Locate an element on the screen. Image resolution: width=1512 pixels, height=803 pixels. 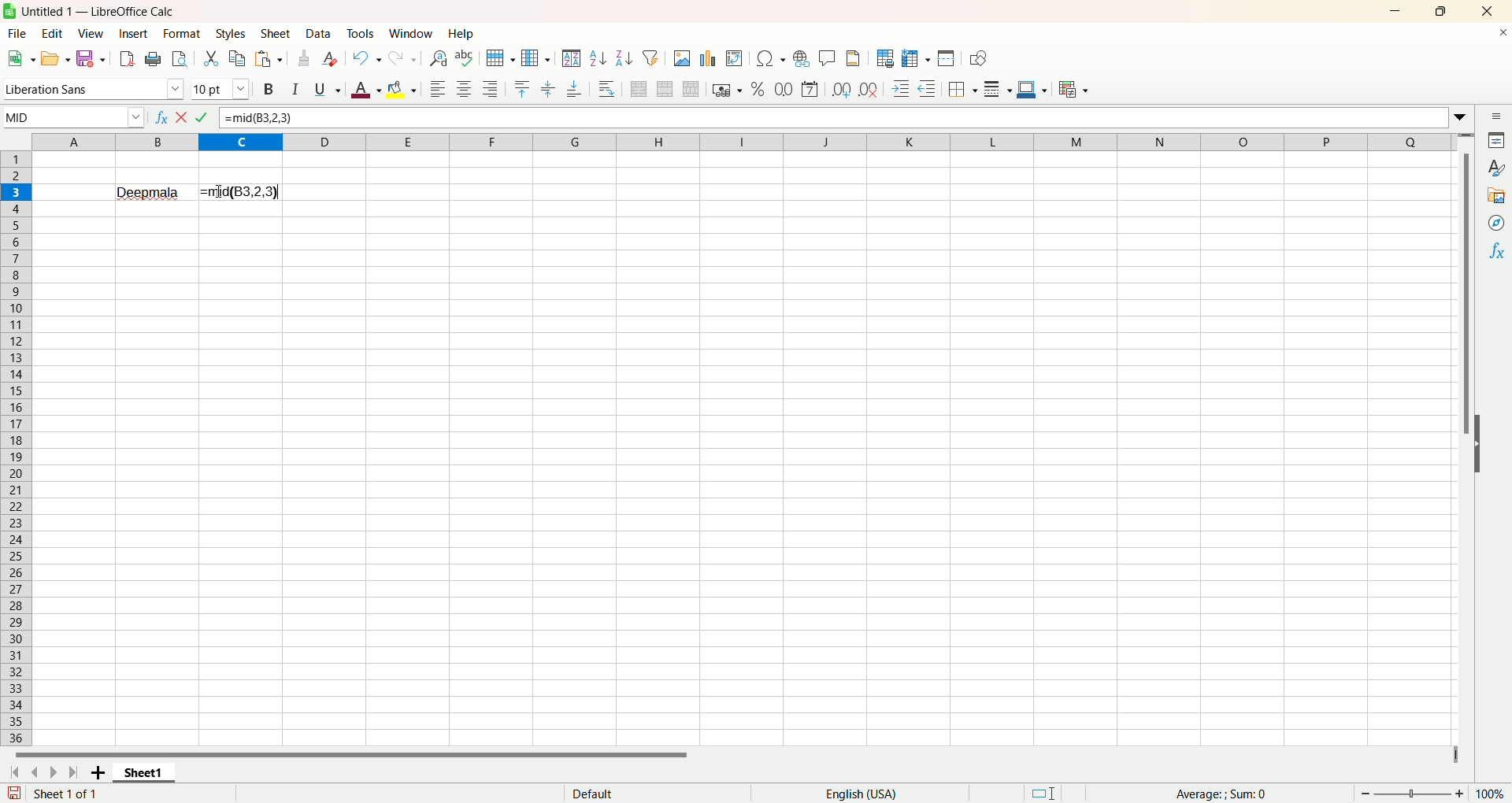
spell check is located at coordinates (464, 58).